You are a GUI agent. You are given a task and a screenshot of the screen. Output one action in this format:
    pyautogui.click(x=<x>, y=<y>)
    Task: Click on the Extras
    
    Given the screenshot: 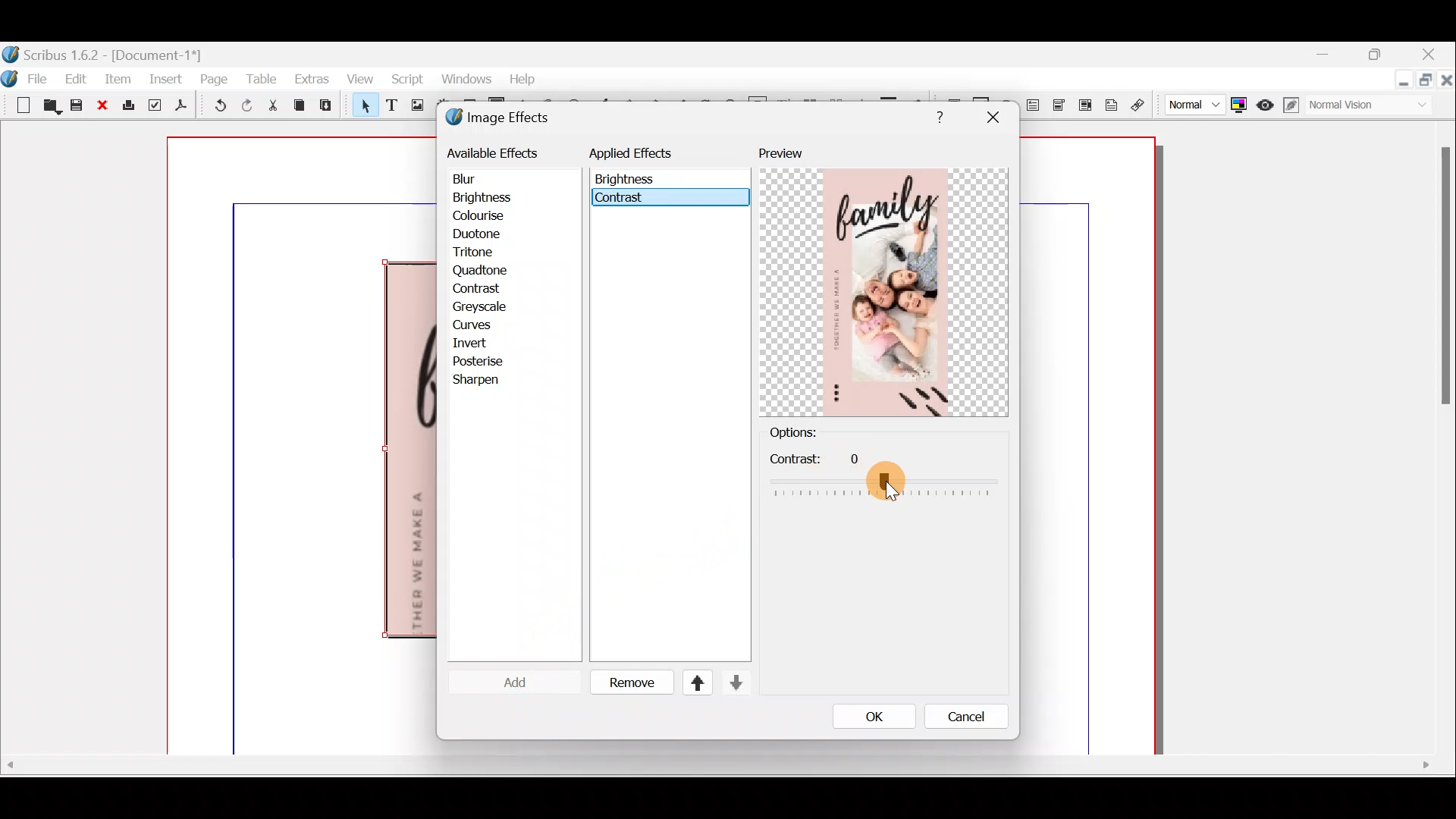 What is the action you would take?
    pyautogui.click(x=311, y=78)
    